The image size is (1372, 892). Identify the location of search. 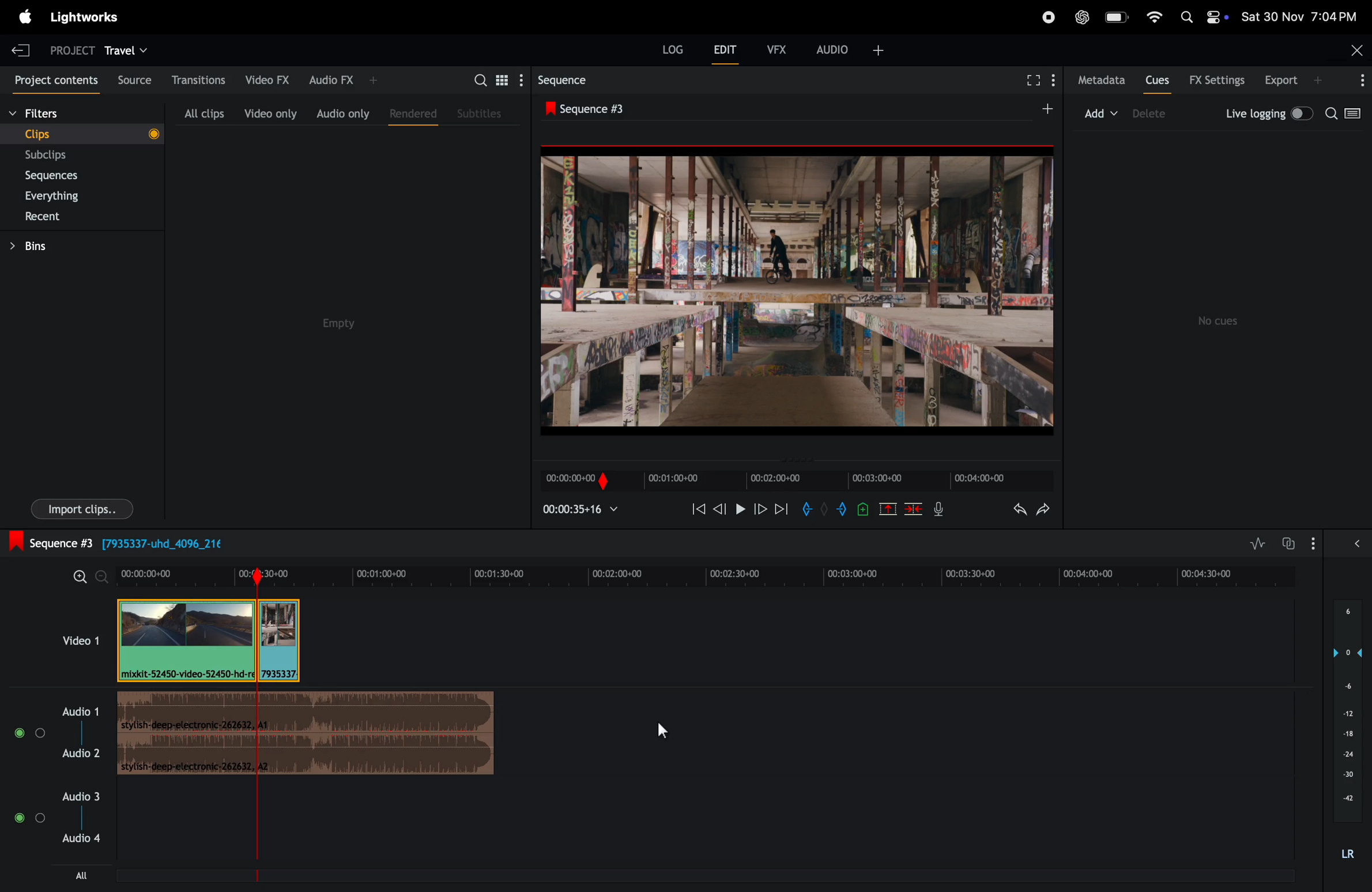
(1347, 116).